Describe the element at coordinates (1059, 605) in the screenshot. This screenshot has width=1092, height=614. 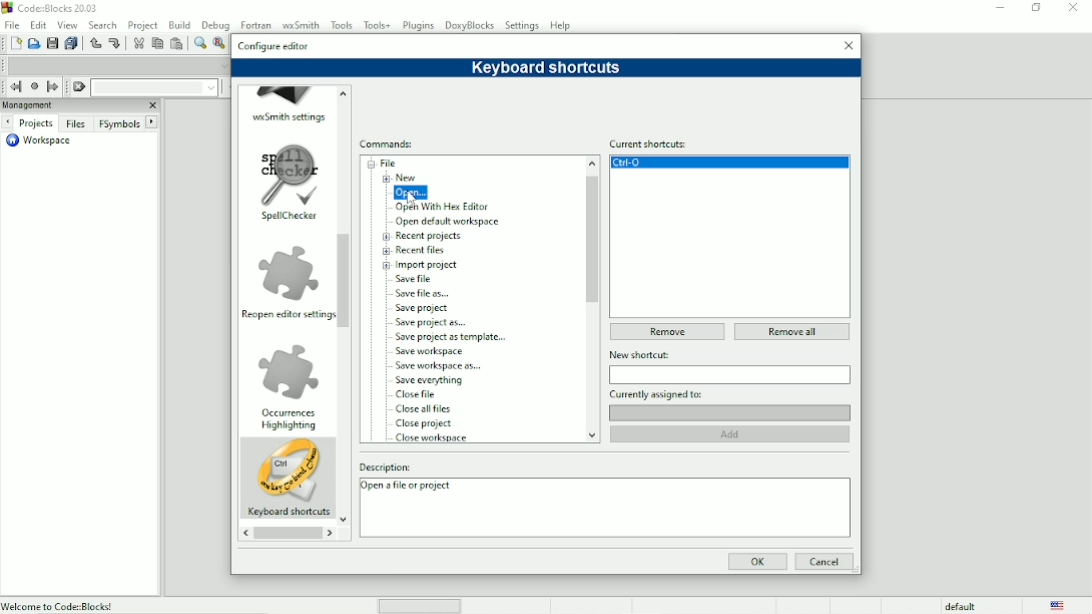
I see `Language` at that location.